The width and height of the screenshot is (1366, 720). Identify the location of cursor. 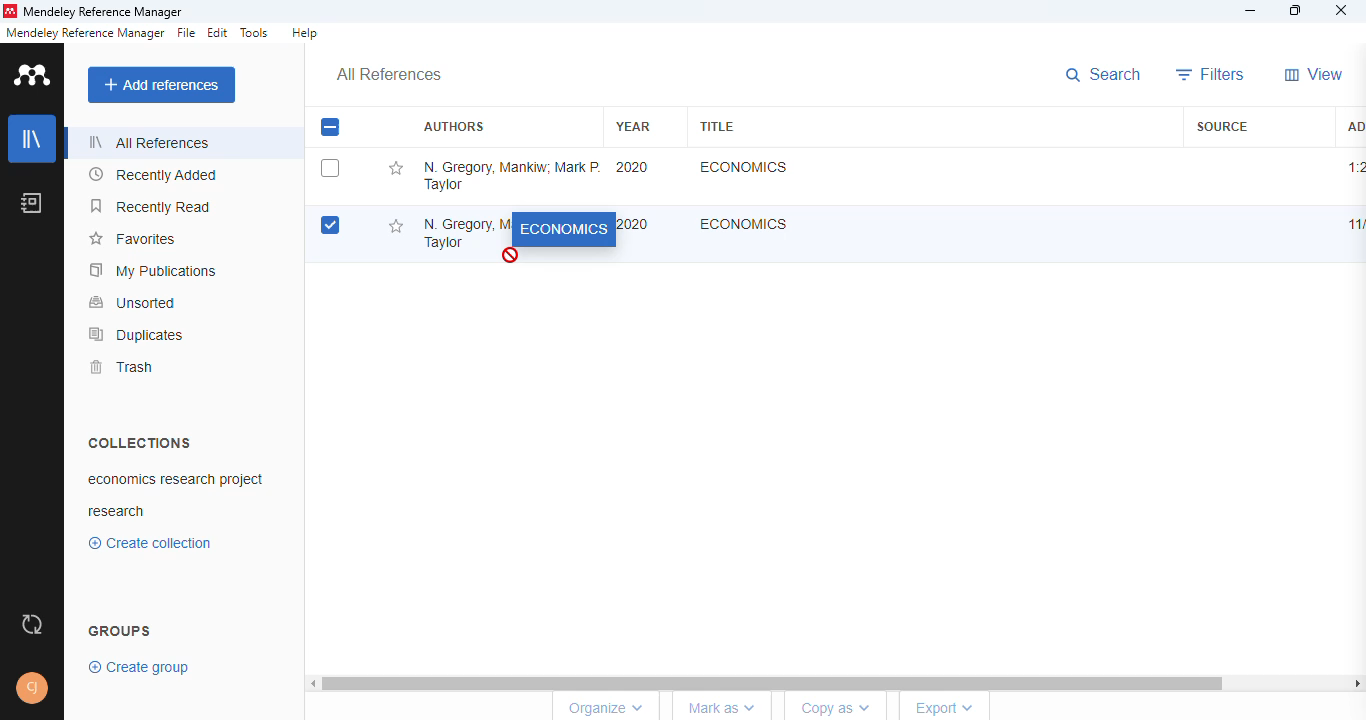
(512, 258).